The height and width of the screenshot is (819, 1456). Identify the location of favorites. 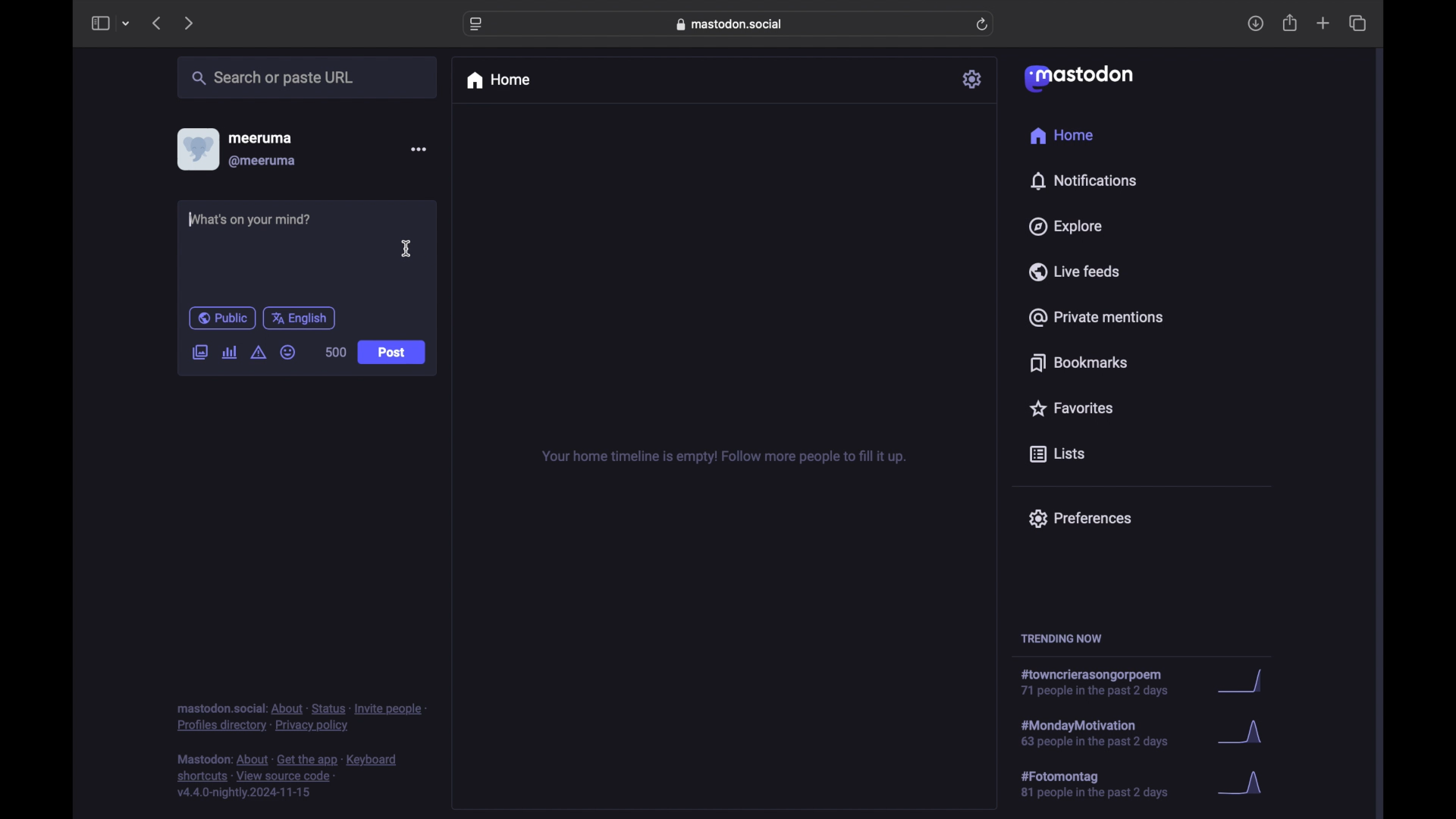
(1071, 408).